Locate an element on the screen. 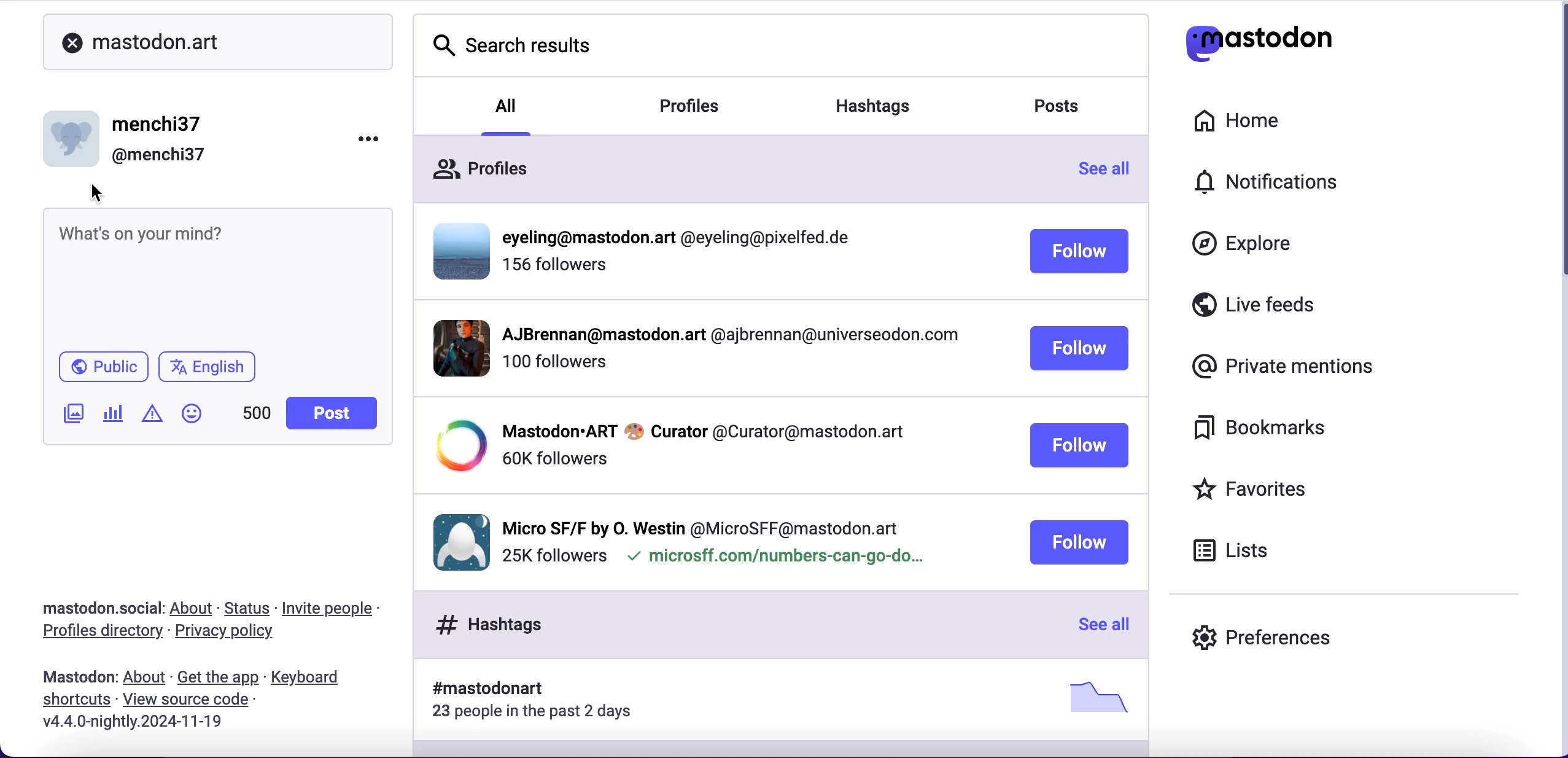  notifications is located at coordinates (1270, 182).